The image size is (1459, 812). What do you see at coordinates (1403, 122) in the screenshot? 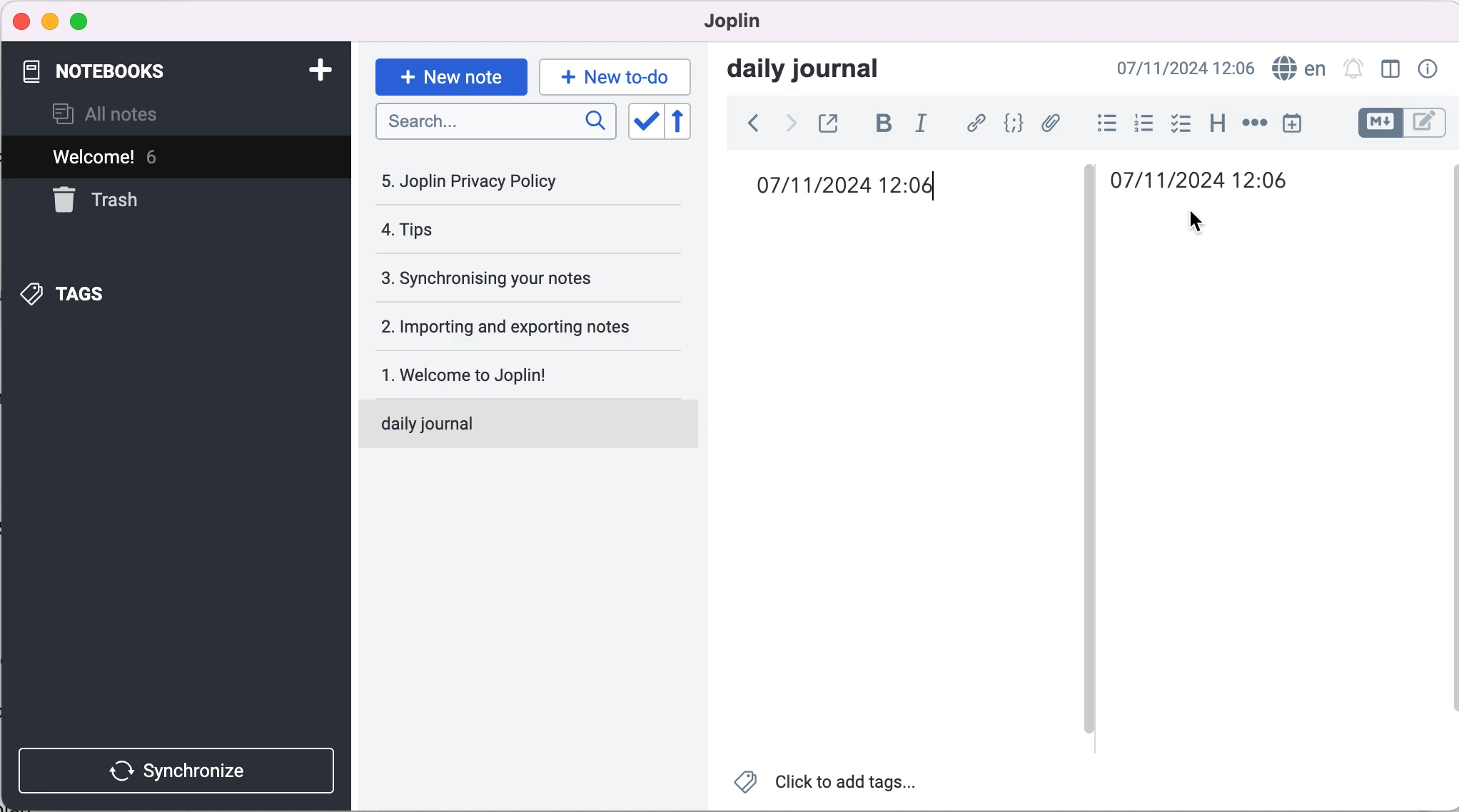
I see `toggle editor` at bounding box center [1403, 122].